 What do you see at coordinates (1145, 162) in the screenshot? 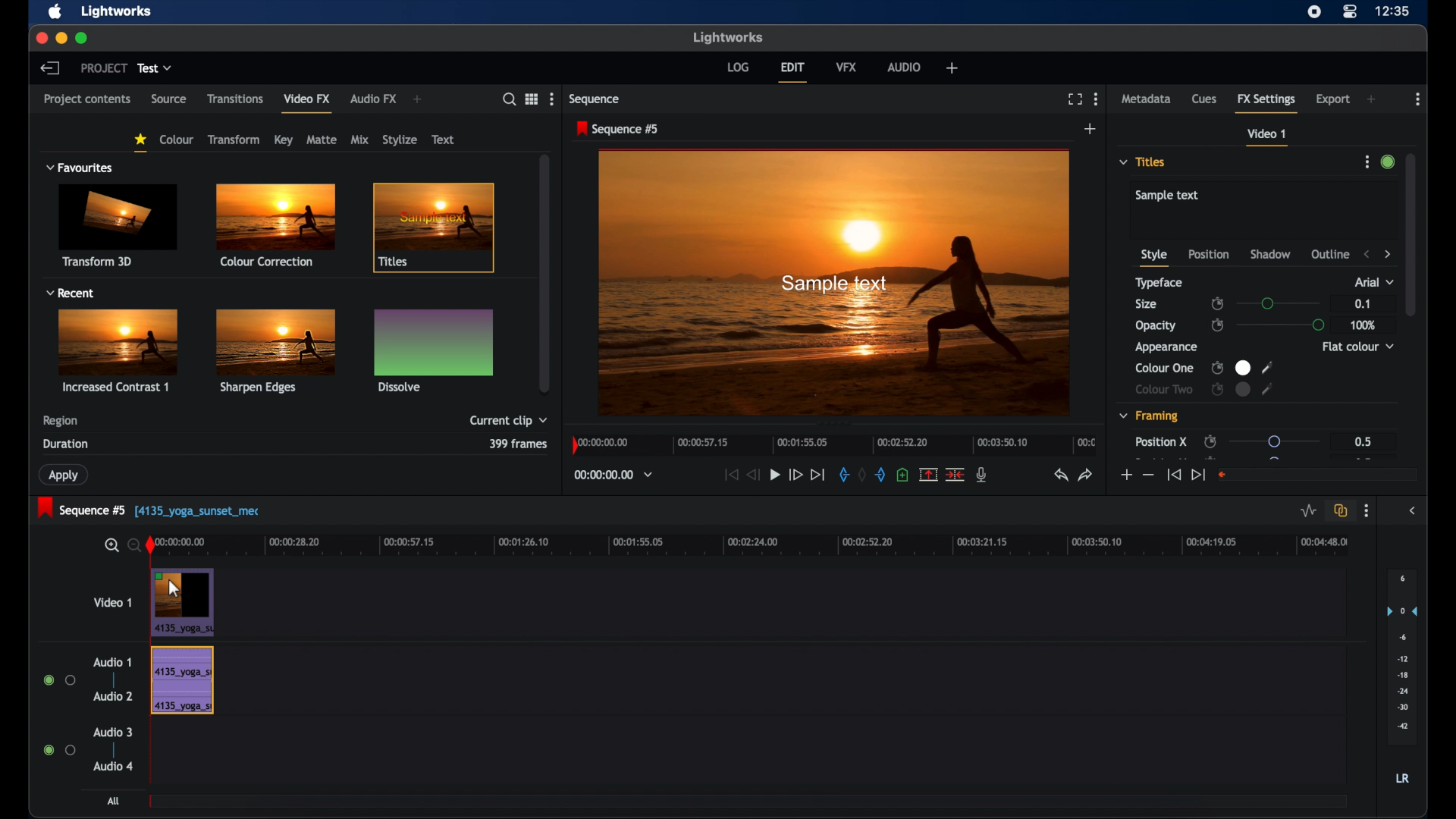
I see `titles` at bounding box center [1145, 162].